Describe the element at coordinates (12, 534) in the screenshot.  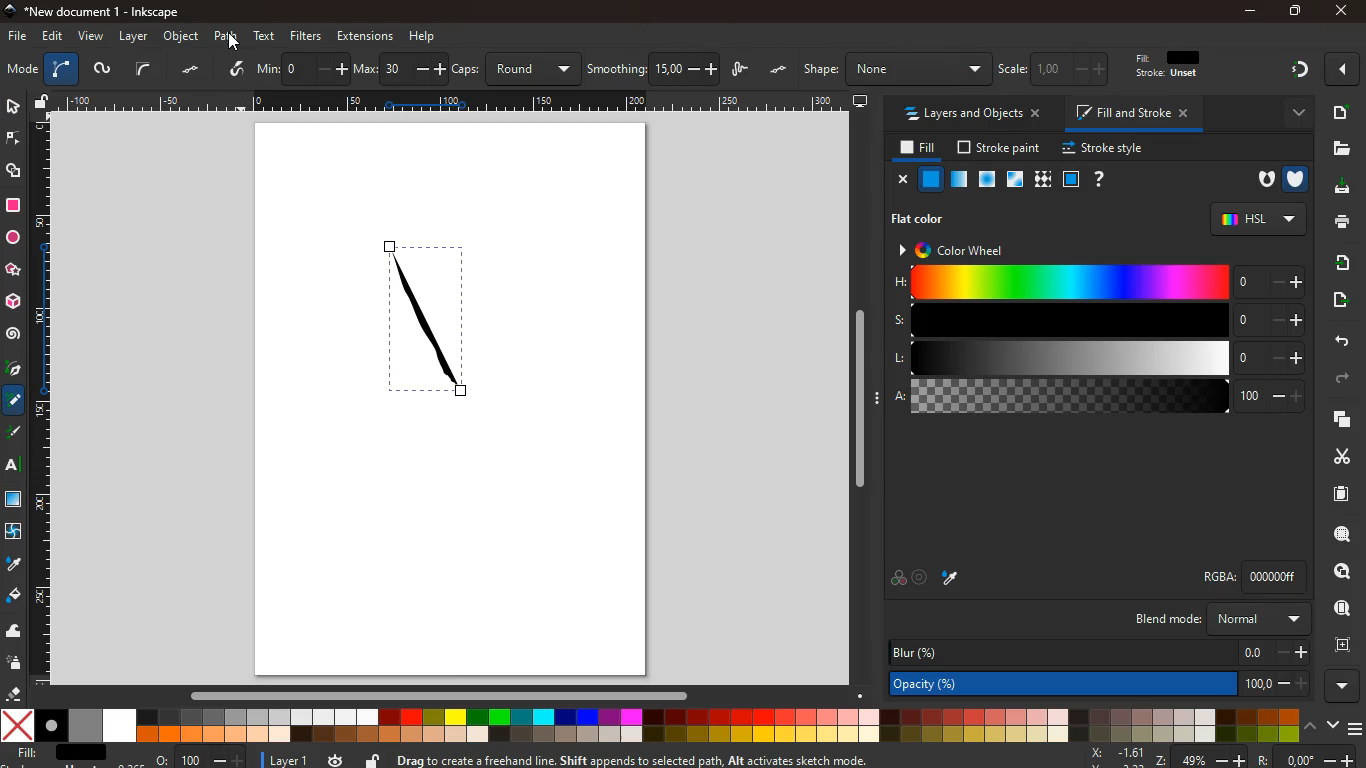
I see `twist` at that location.